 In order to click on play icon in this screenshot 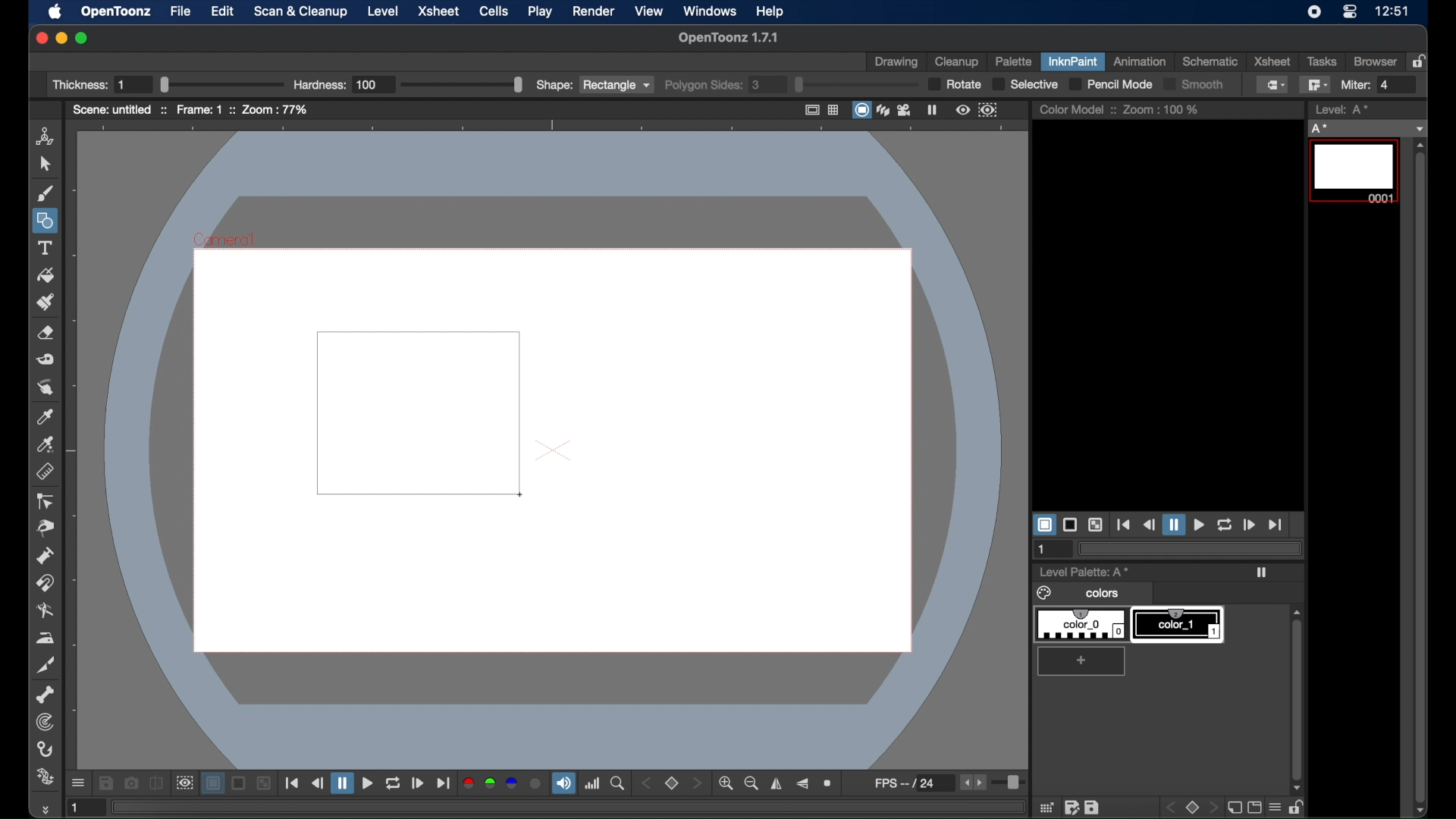, I will do `click(1261, 573)`.